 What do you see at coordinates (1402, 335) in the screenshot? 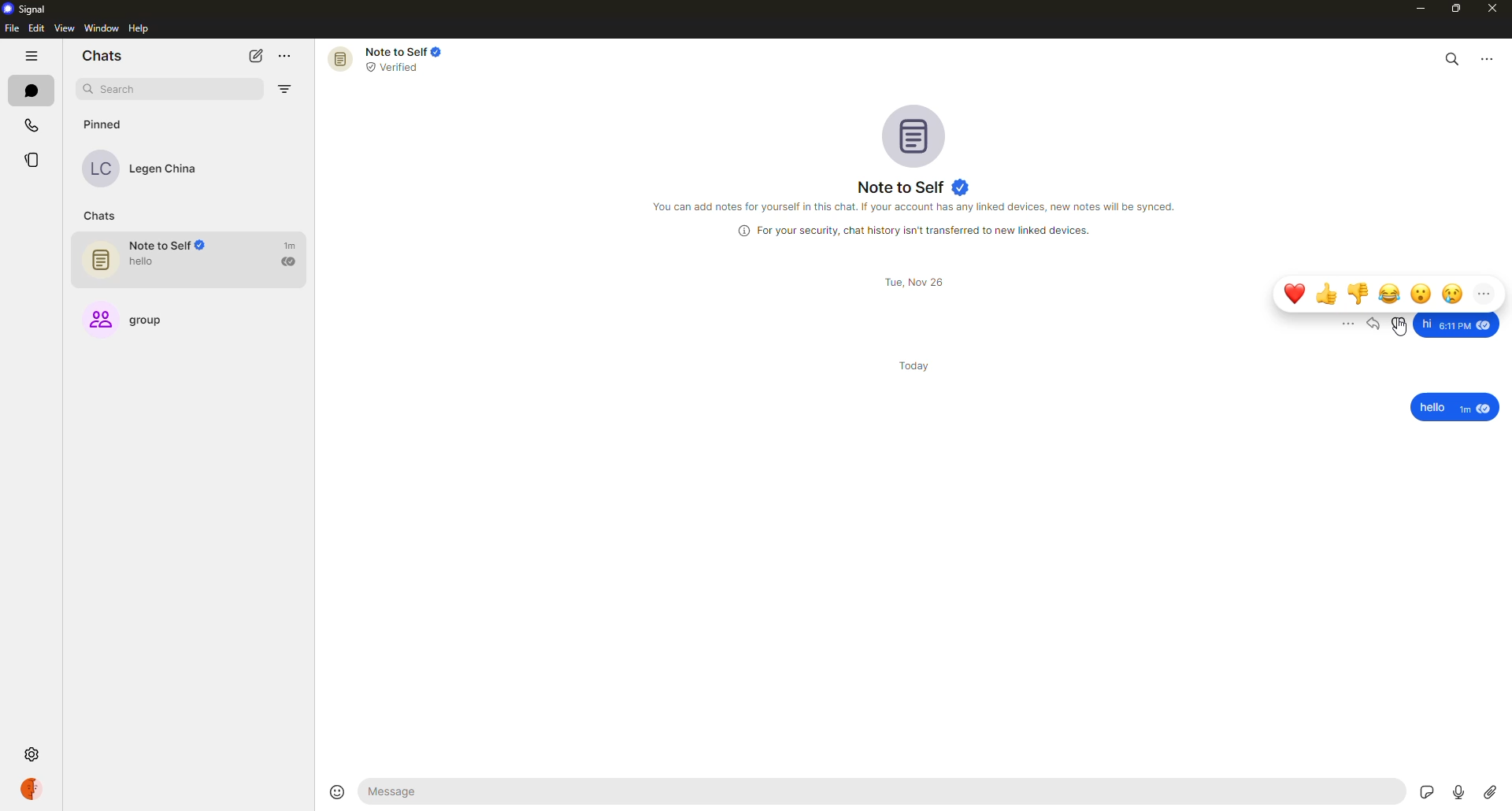
I see `cursor` at bounding box center [1402, 335].